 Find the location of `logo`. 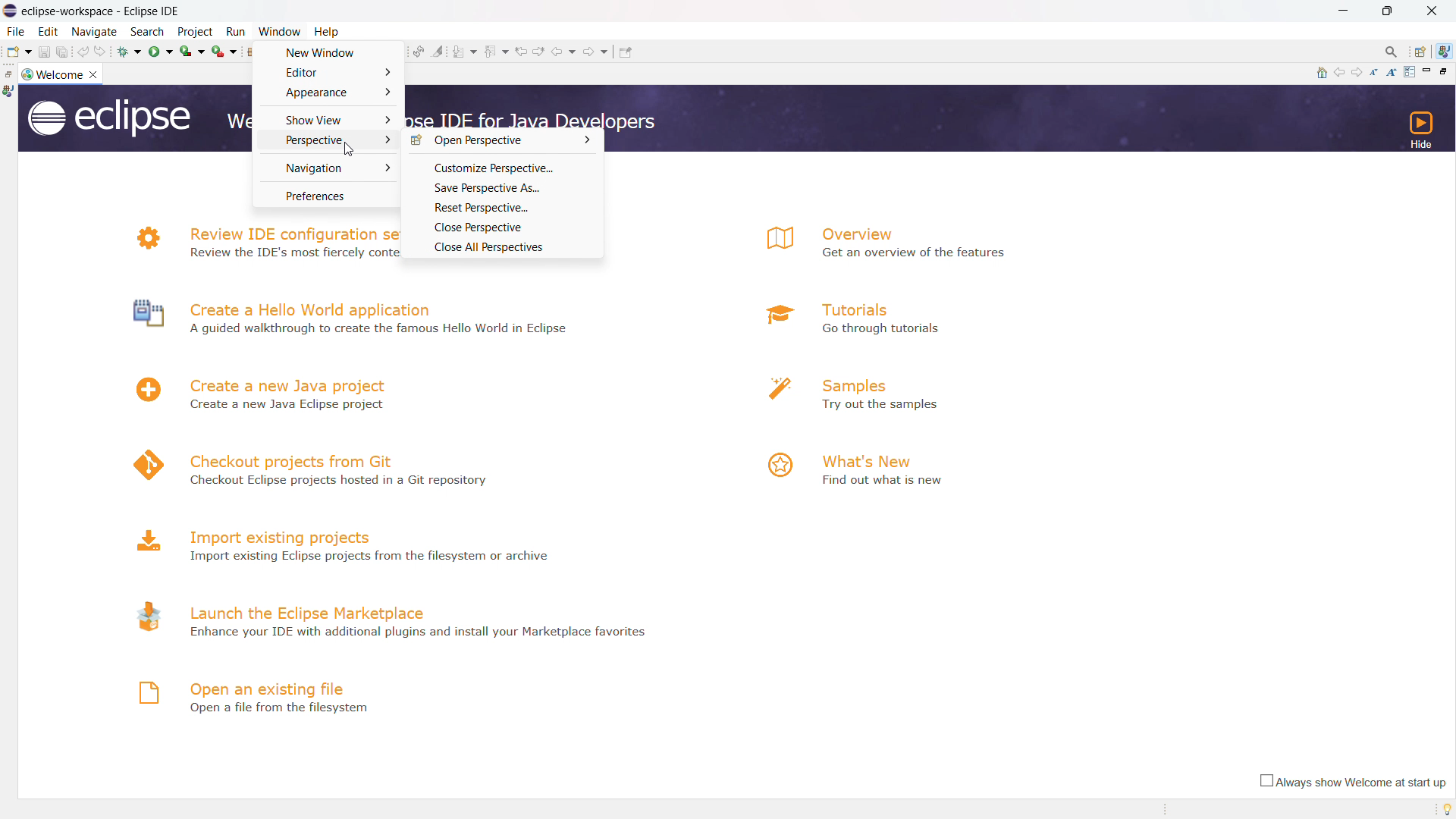

logo is located at coordinates (770, 239).